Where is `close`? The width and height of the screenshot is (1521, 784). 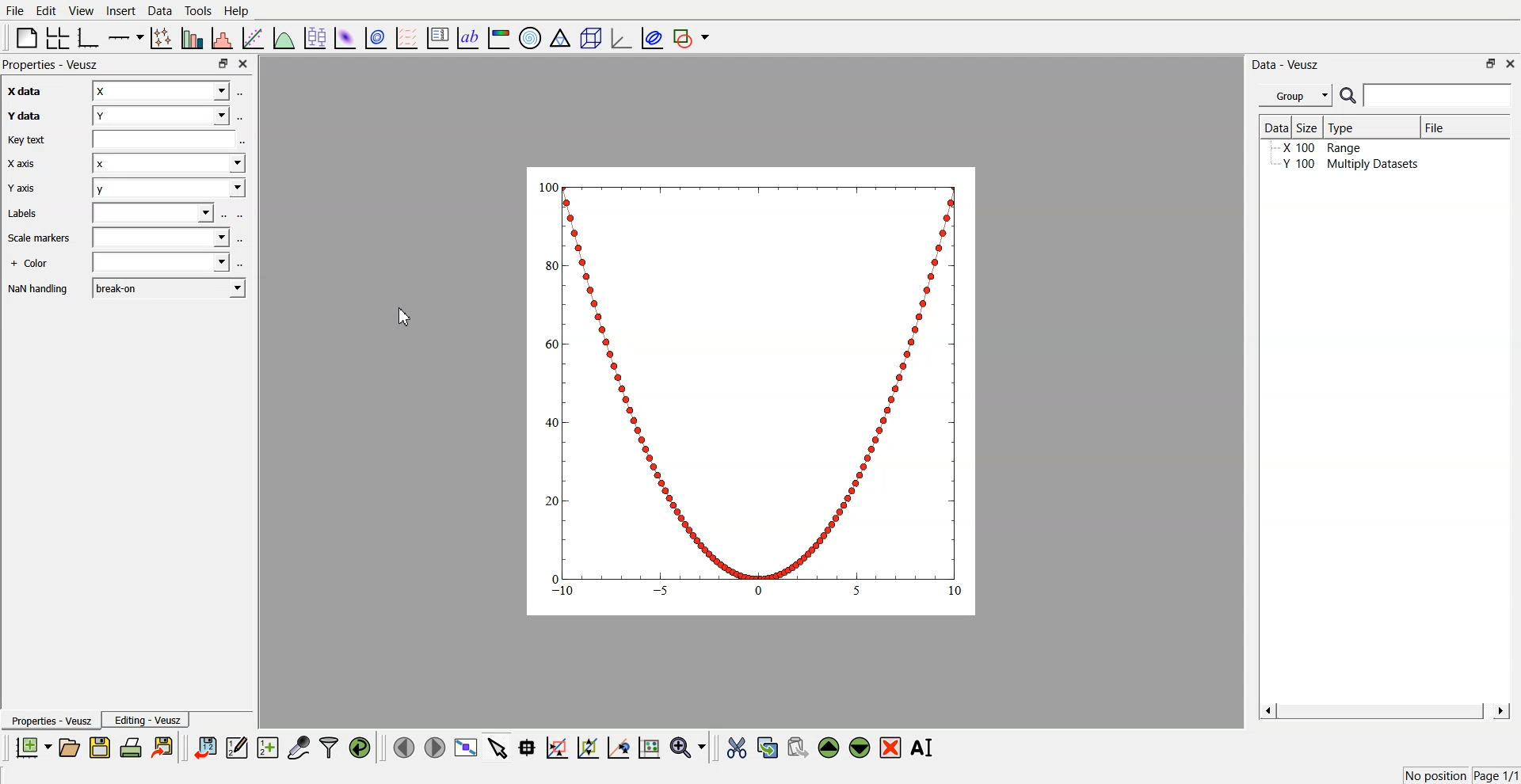
close is located at coordinates (1511, 63).